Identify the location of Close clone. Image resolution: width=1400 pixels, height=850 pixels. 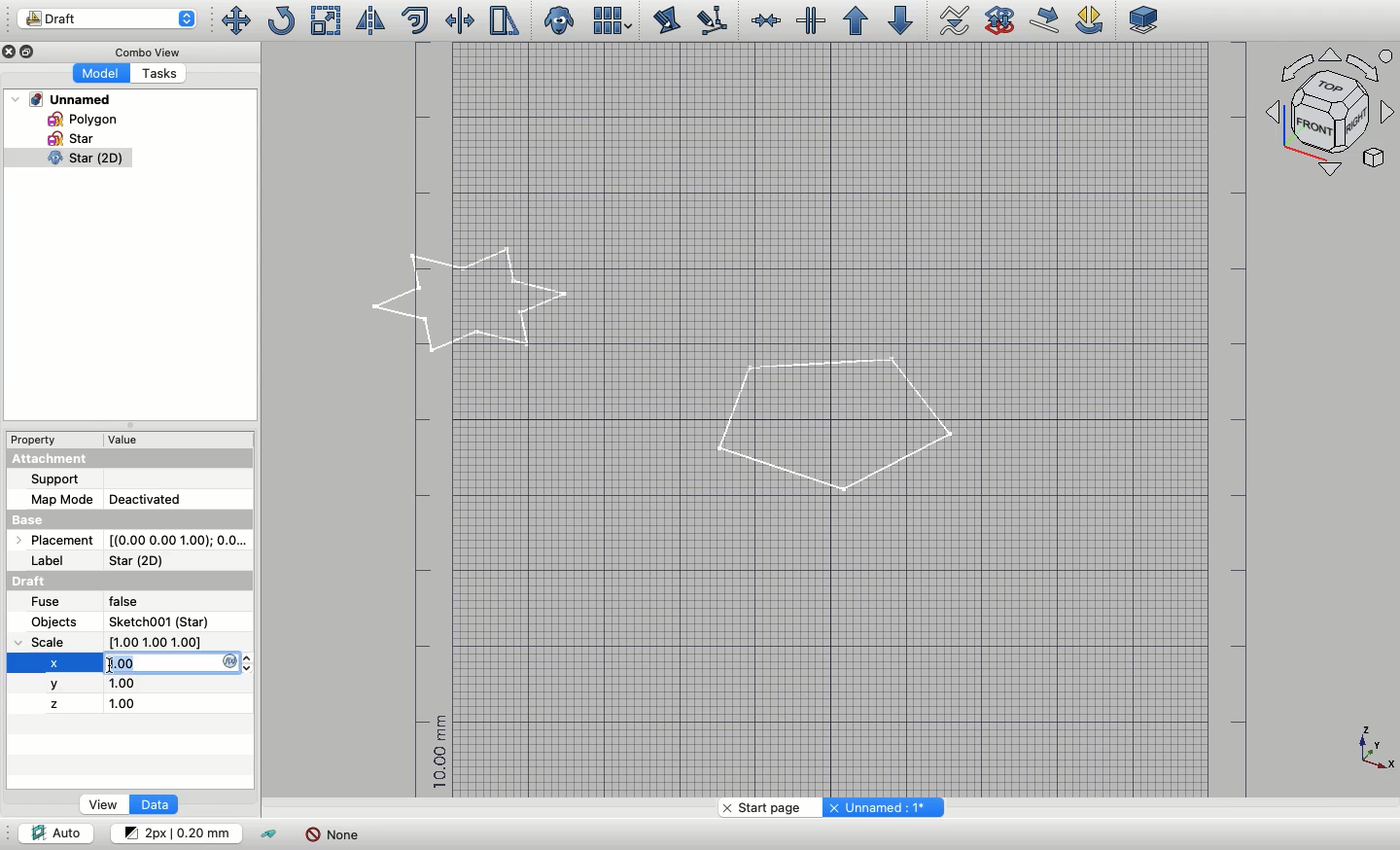
(561, 21).